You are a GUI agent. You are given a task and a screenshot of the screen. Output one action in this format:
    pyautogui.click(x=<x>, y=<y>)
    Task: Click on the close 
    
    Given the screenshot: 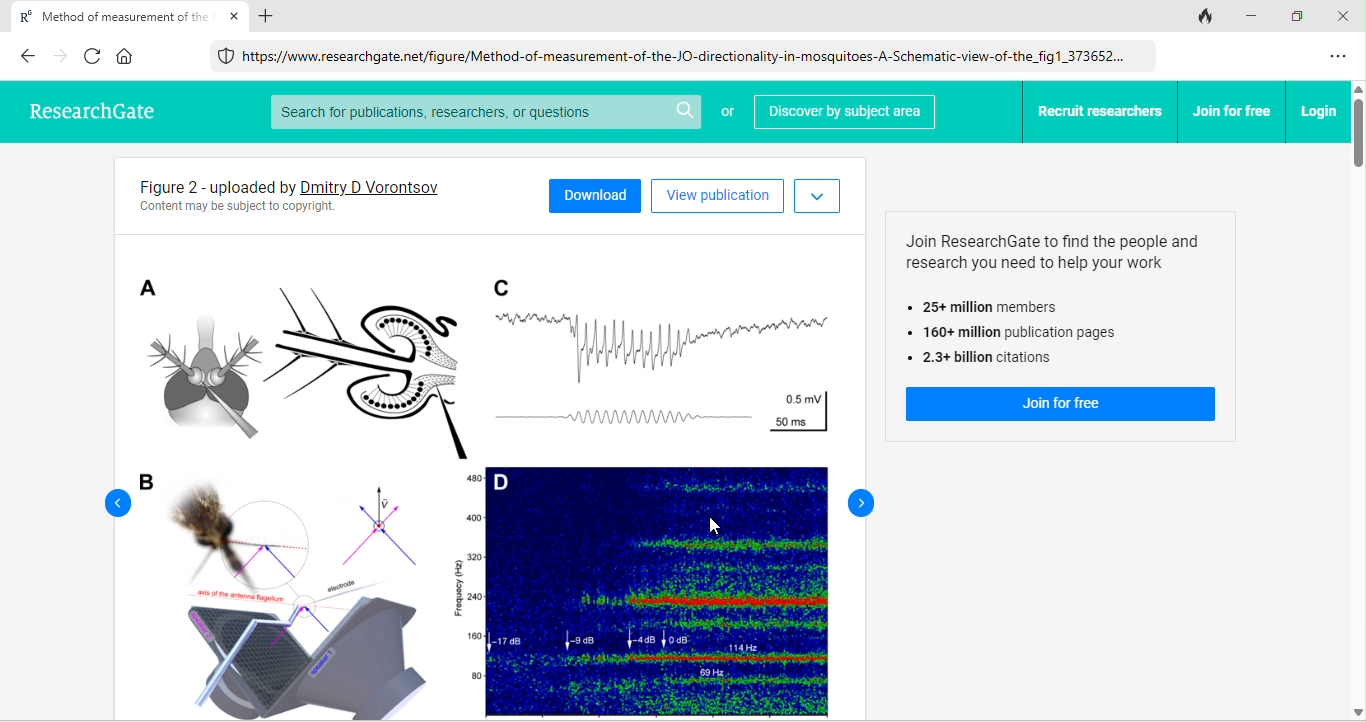 What is the action you would take?
    pyautogui.click(x=1346, y=16)
    